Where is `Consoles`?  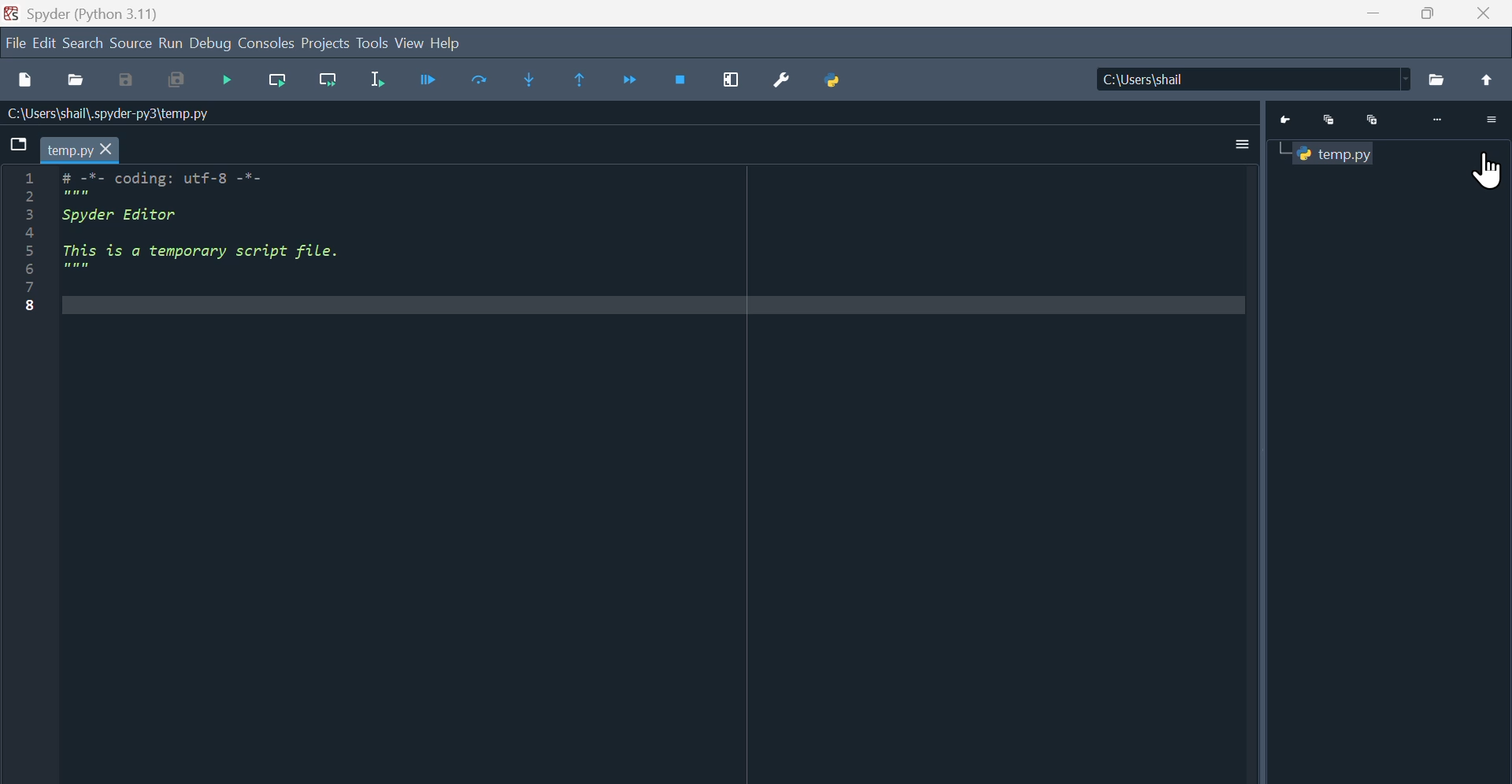 Consoles is located at coordinates (267, 43).